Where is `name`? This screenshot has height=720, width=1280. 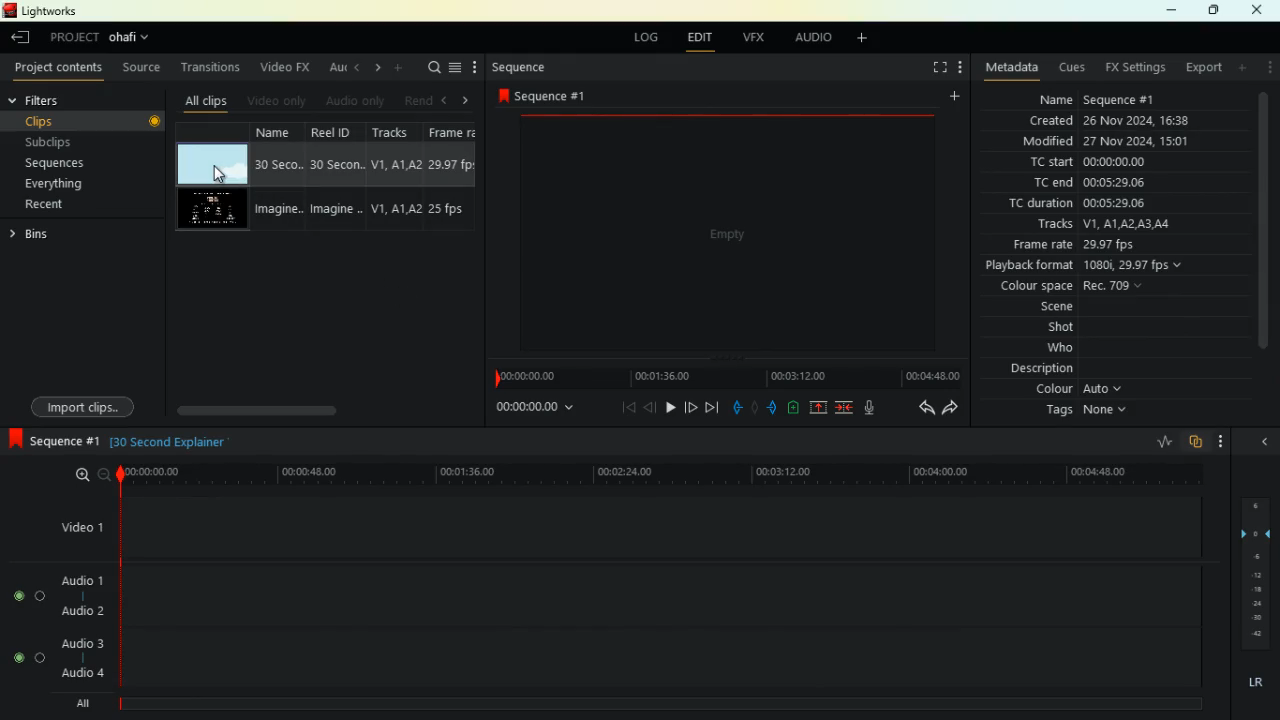
name is located at coordinates (279, 177).